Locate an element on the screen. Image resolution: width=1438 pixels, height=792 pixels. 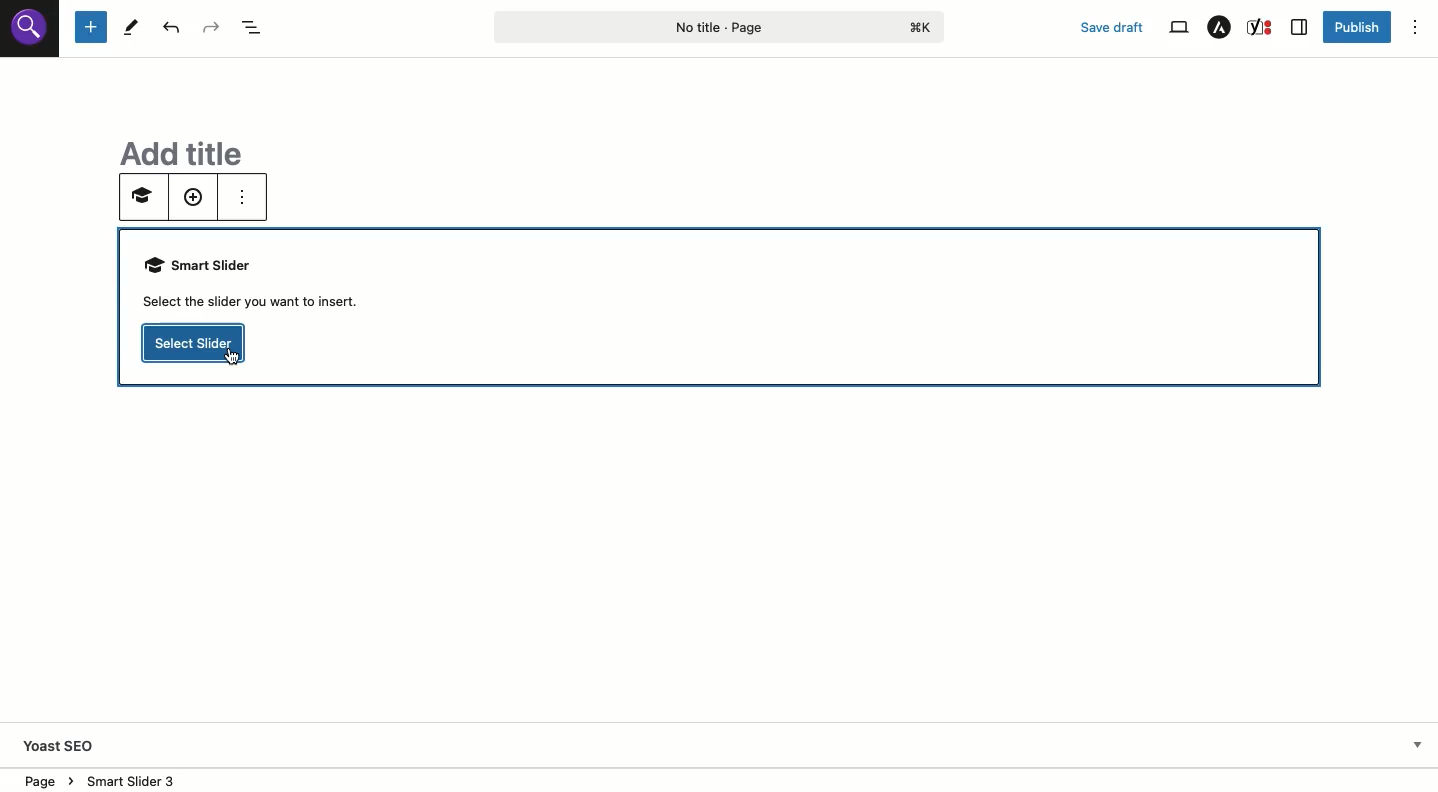
Location is located at coordinates (45, 778).